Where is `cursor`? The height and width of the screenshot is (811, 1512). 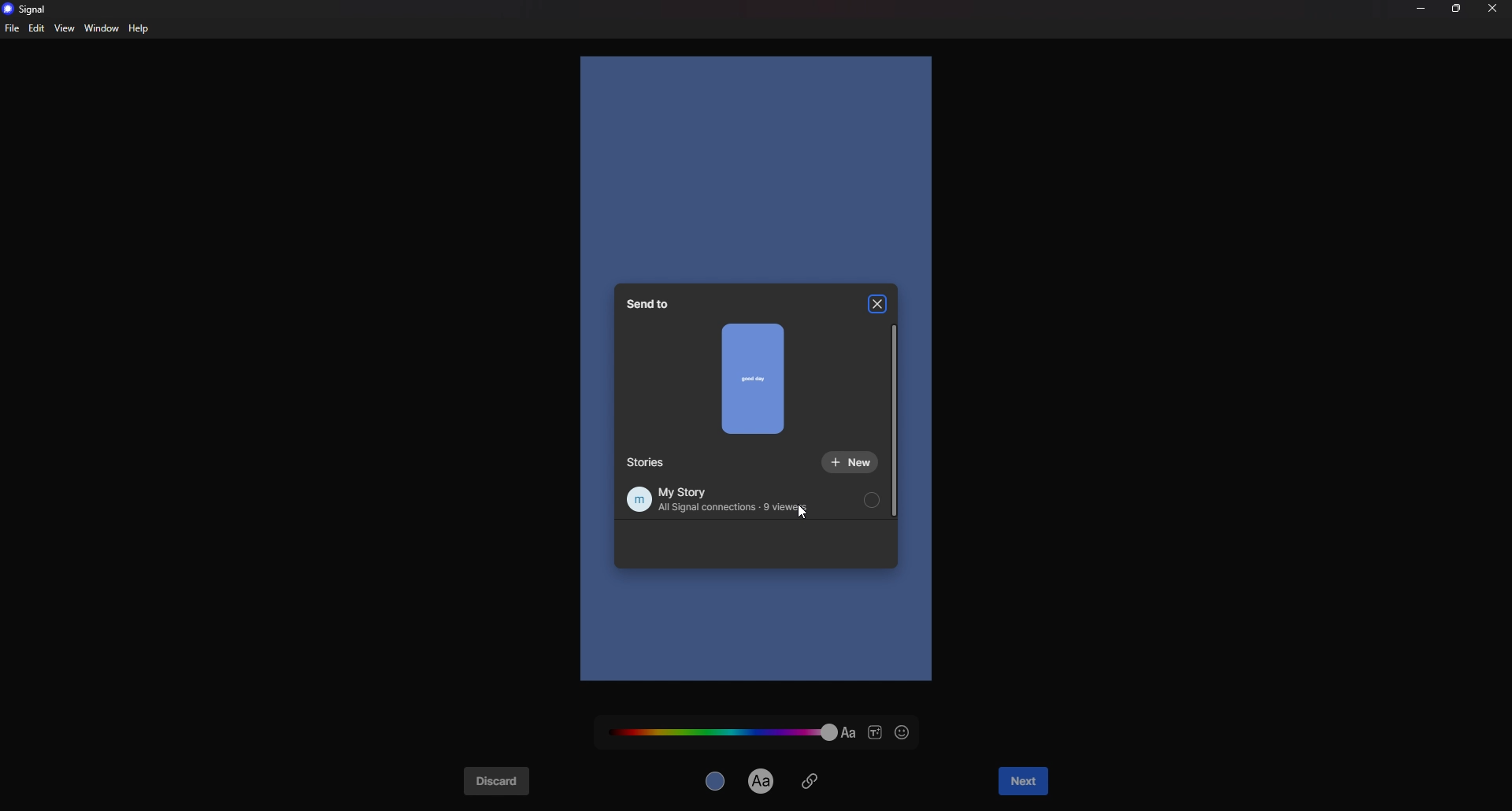 cursor is located at coordinates (803, 513).